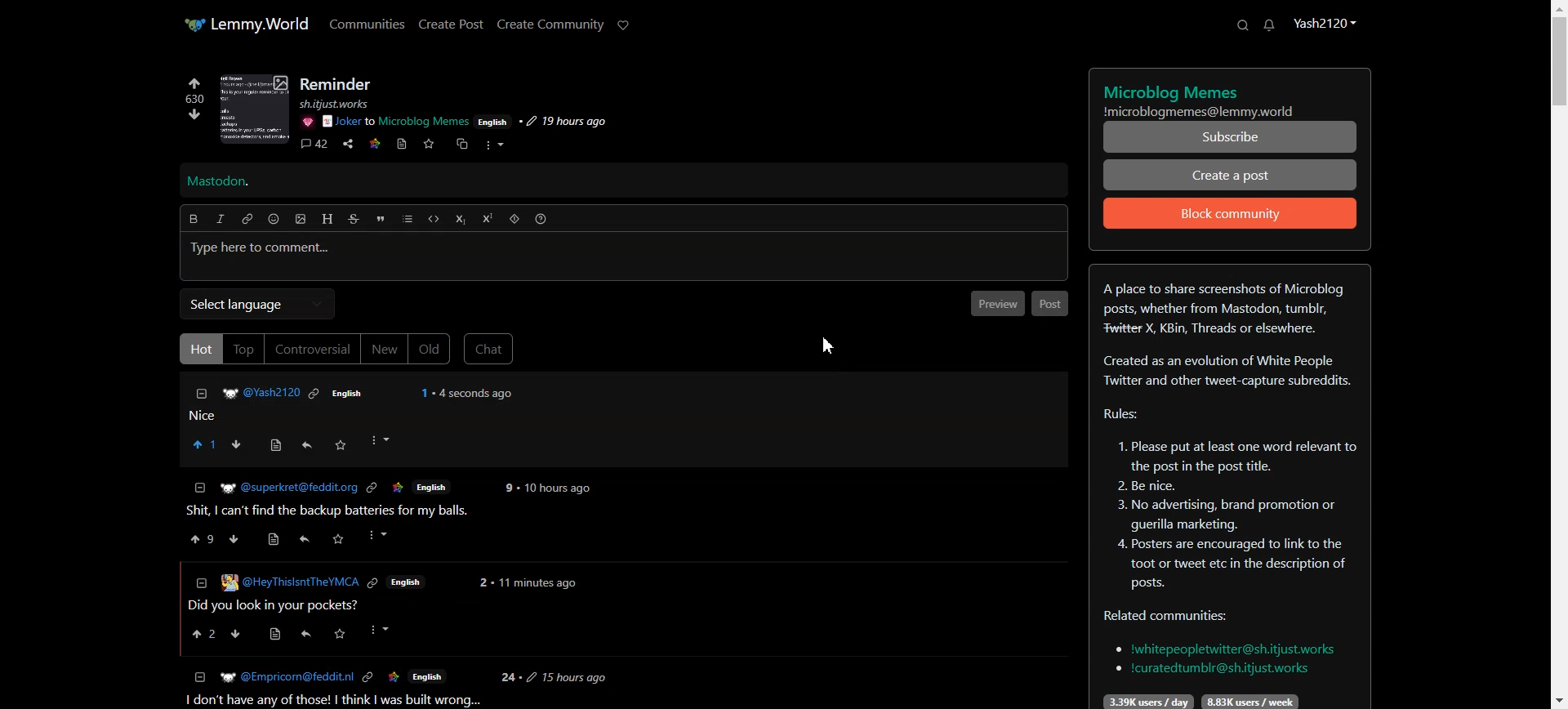  What do you see at coordinates (193, 219) in the screenshot?
I see `Bold` at bounding box center [193, 219].